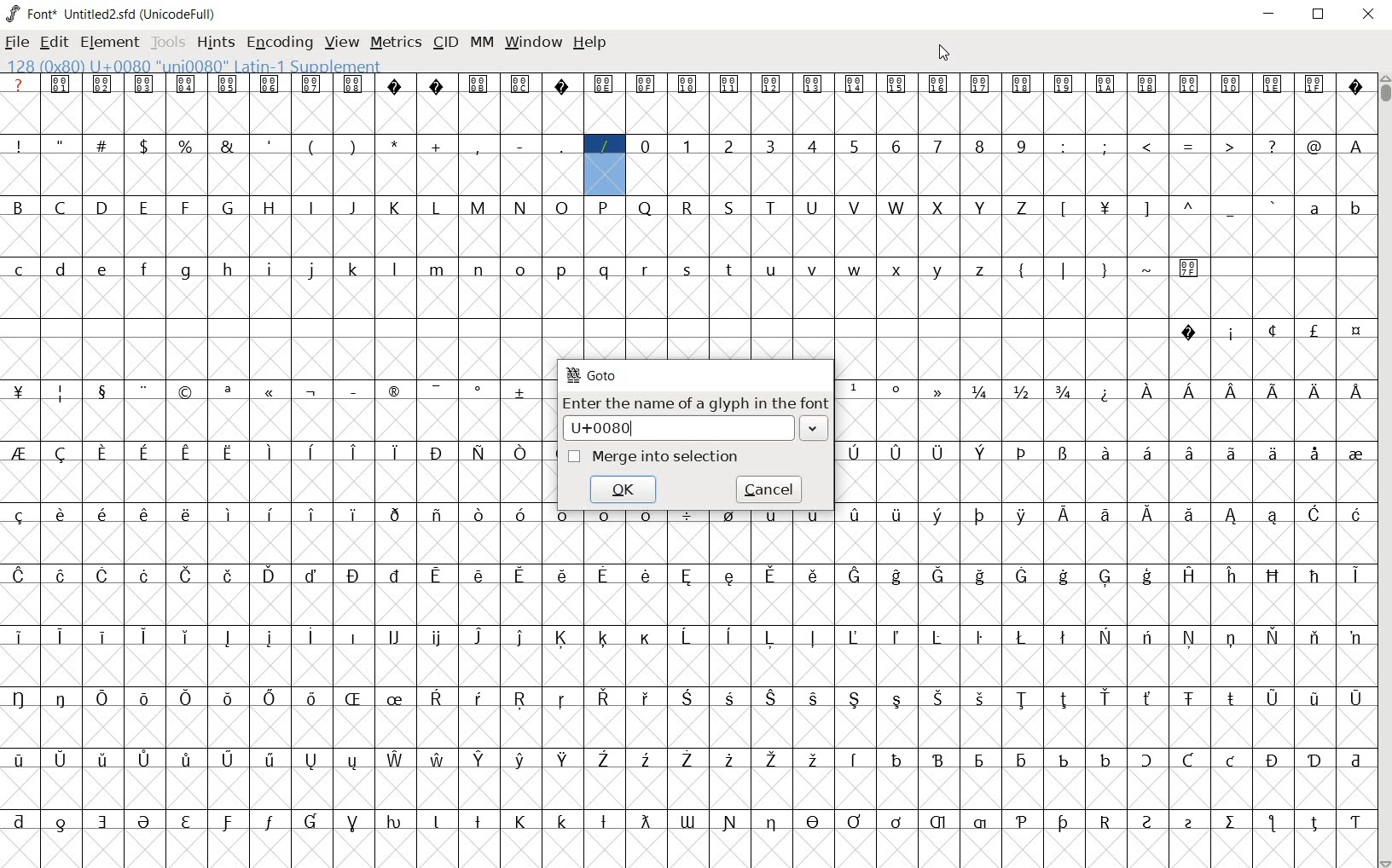  What do you see at coordinates (310, 270) in the screenshot?
I see `glyph` at bounding box center [310, 270].